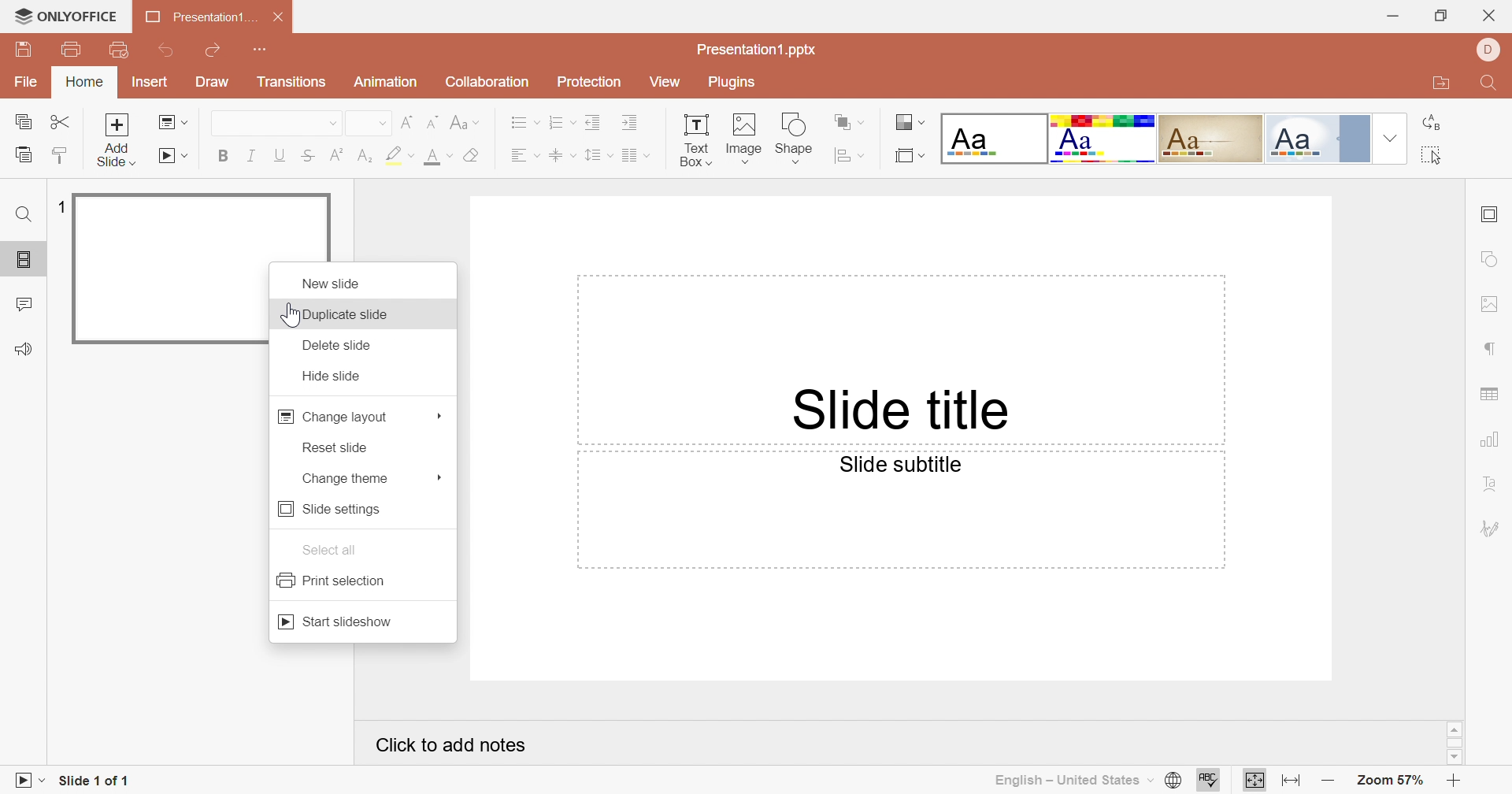 The image size is (1512, 794). What do you see at coordinates (185, 156) in the screenshot?
I see `Drop Down` at bounding box center [185, 156].